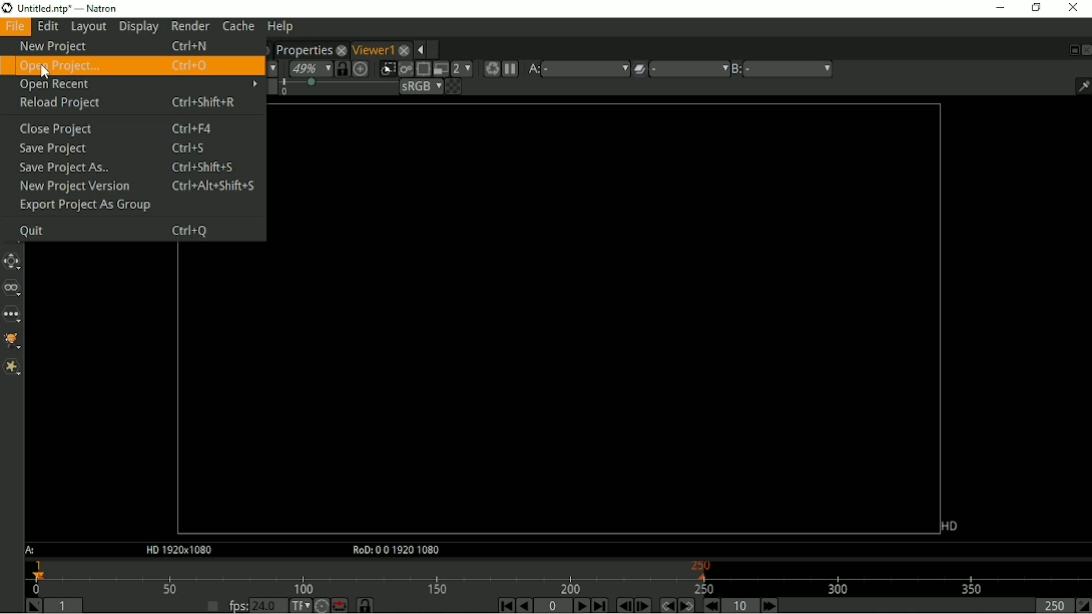  I want to click on New Project Version, so click(136, 186).